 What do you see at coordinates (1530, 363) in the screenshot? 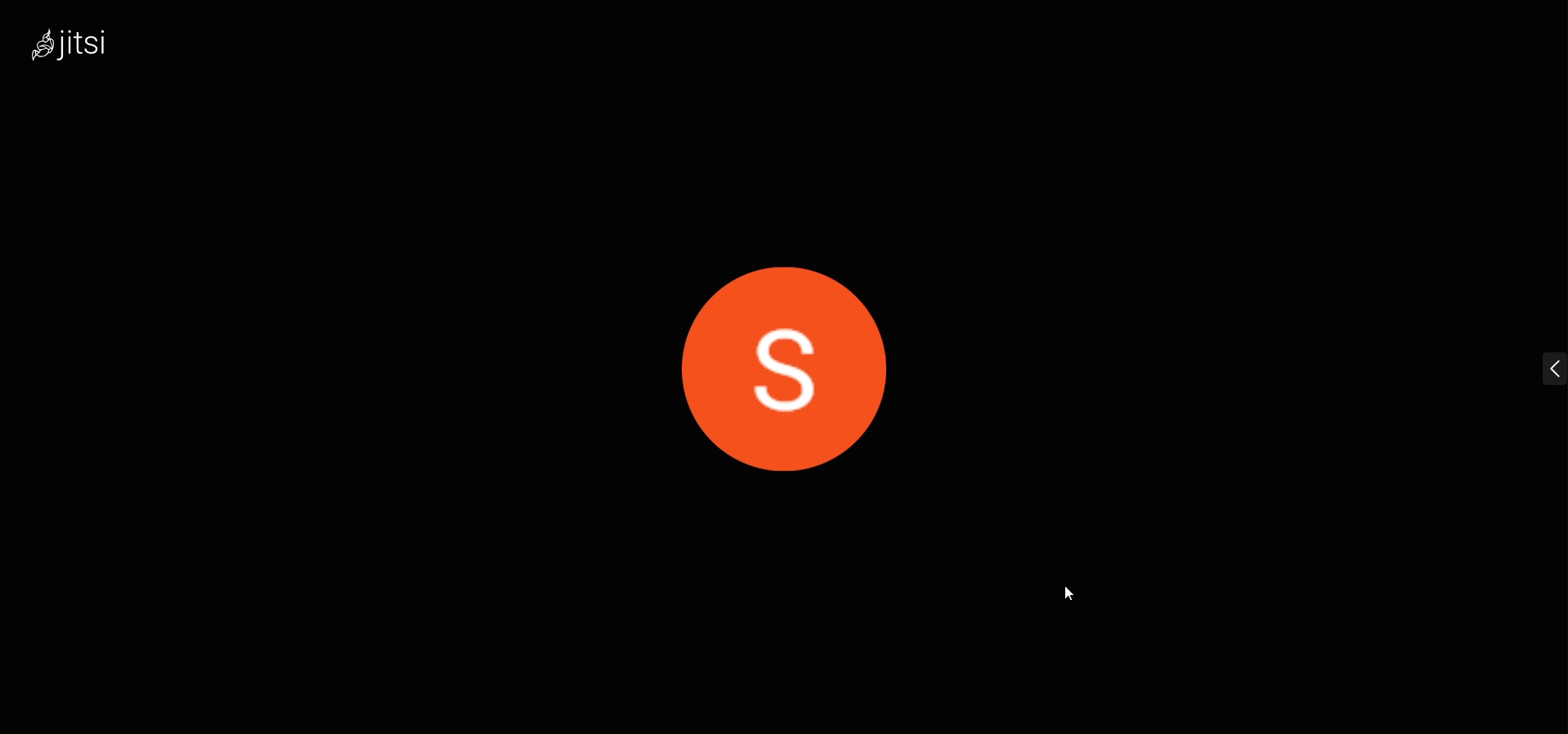
I see `expand` at bounding box center [1530, 363].